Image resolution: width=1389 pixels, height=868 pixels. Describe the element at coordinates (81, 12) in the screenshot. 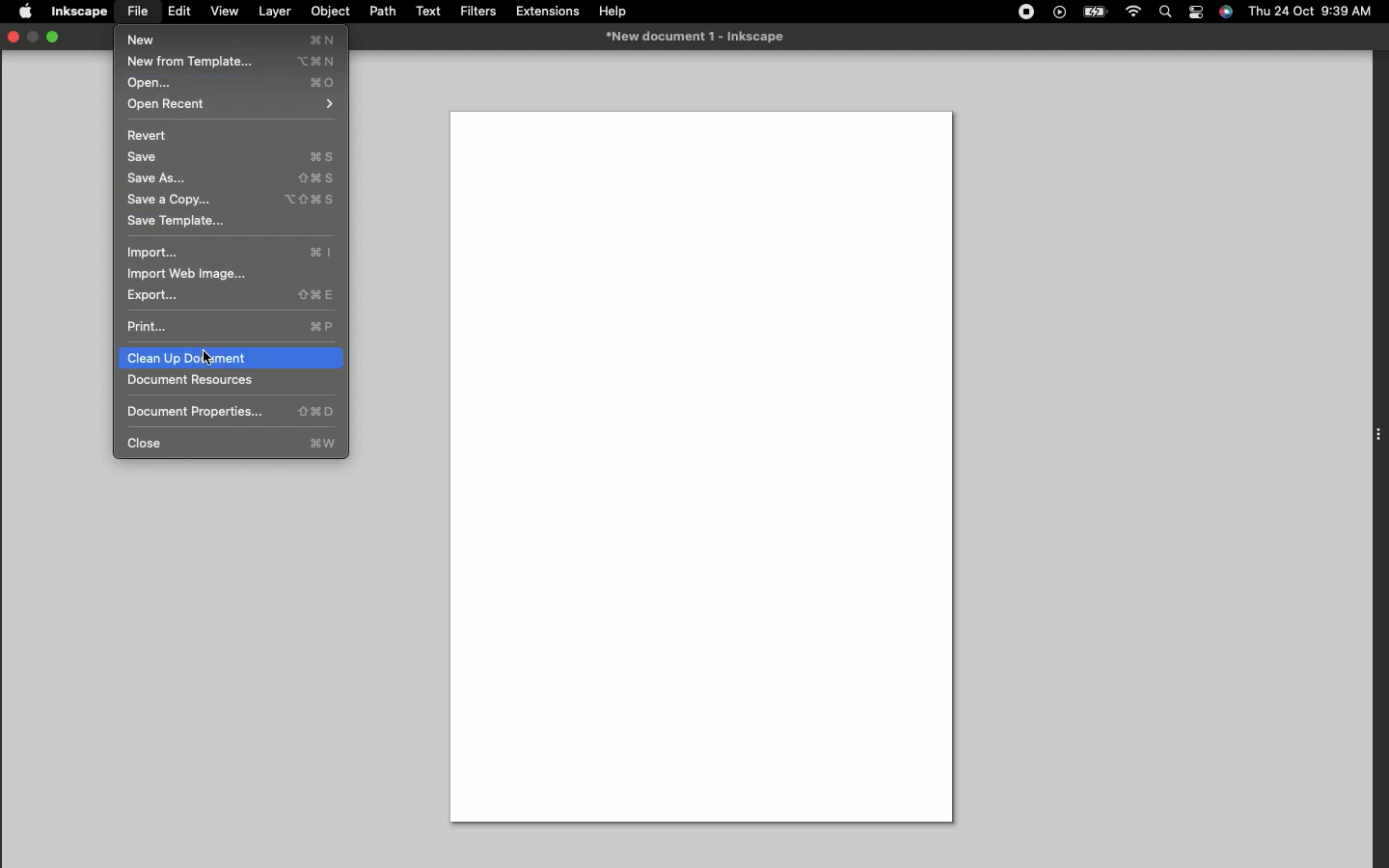

I see `Inkspace` at that location.